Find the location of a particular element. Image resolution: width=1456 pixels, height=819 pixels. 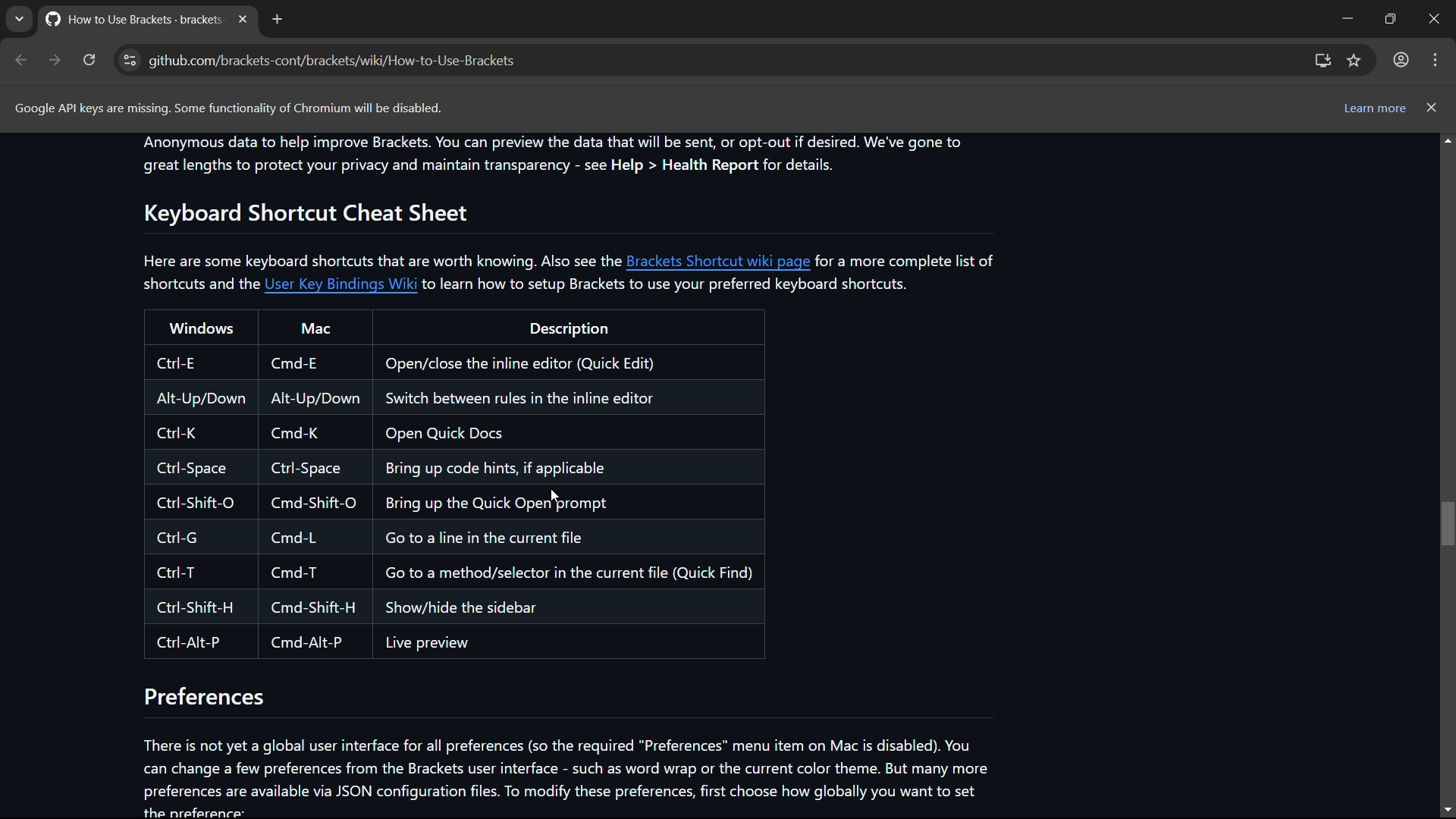

windows is located at coordinates (202, 328).